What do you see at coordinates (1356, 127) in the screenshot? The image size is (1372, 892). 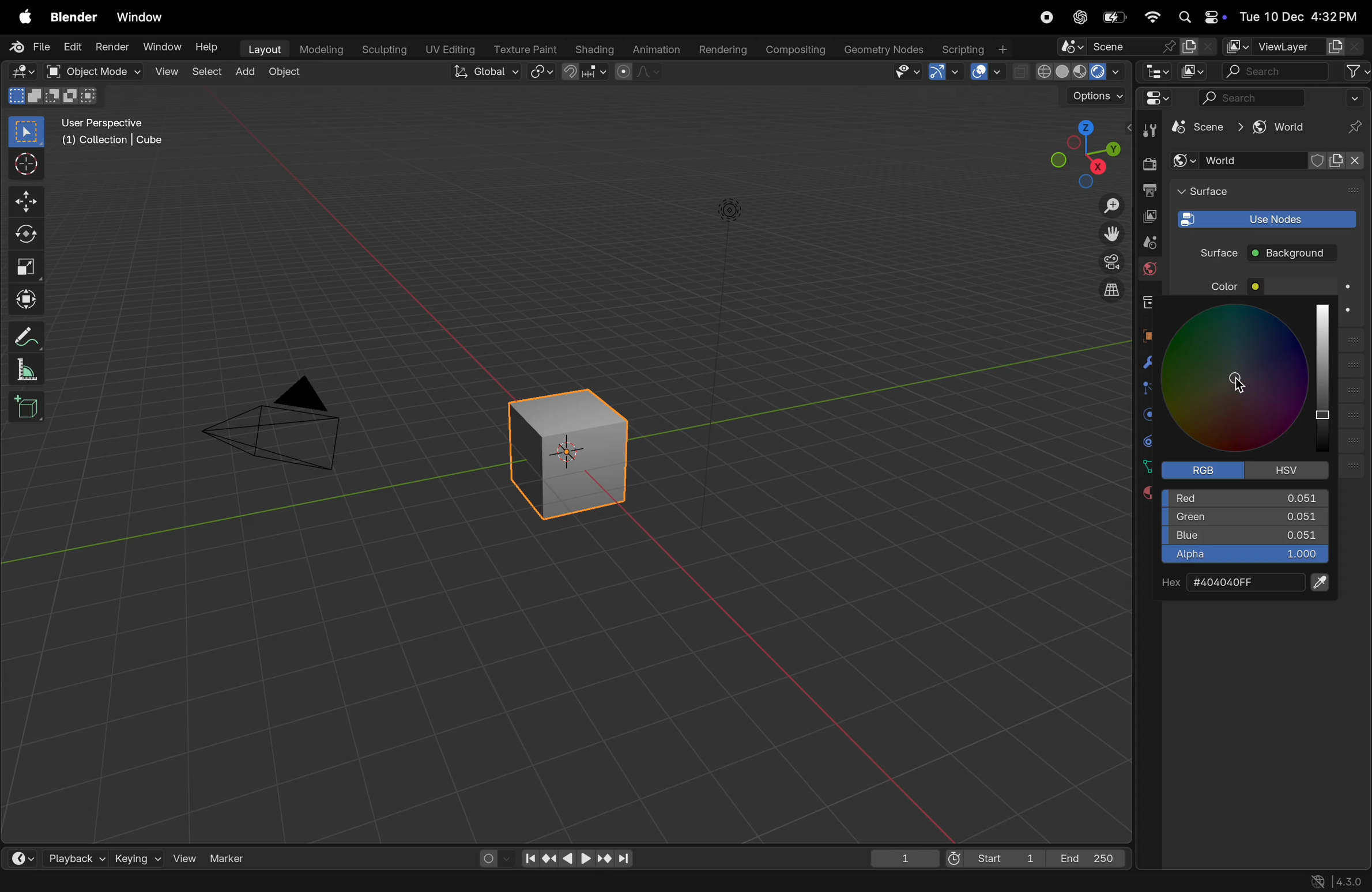 I see `pin` at bounding box center [1356, 127].